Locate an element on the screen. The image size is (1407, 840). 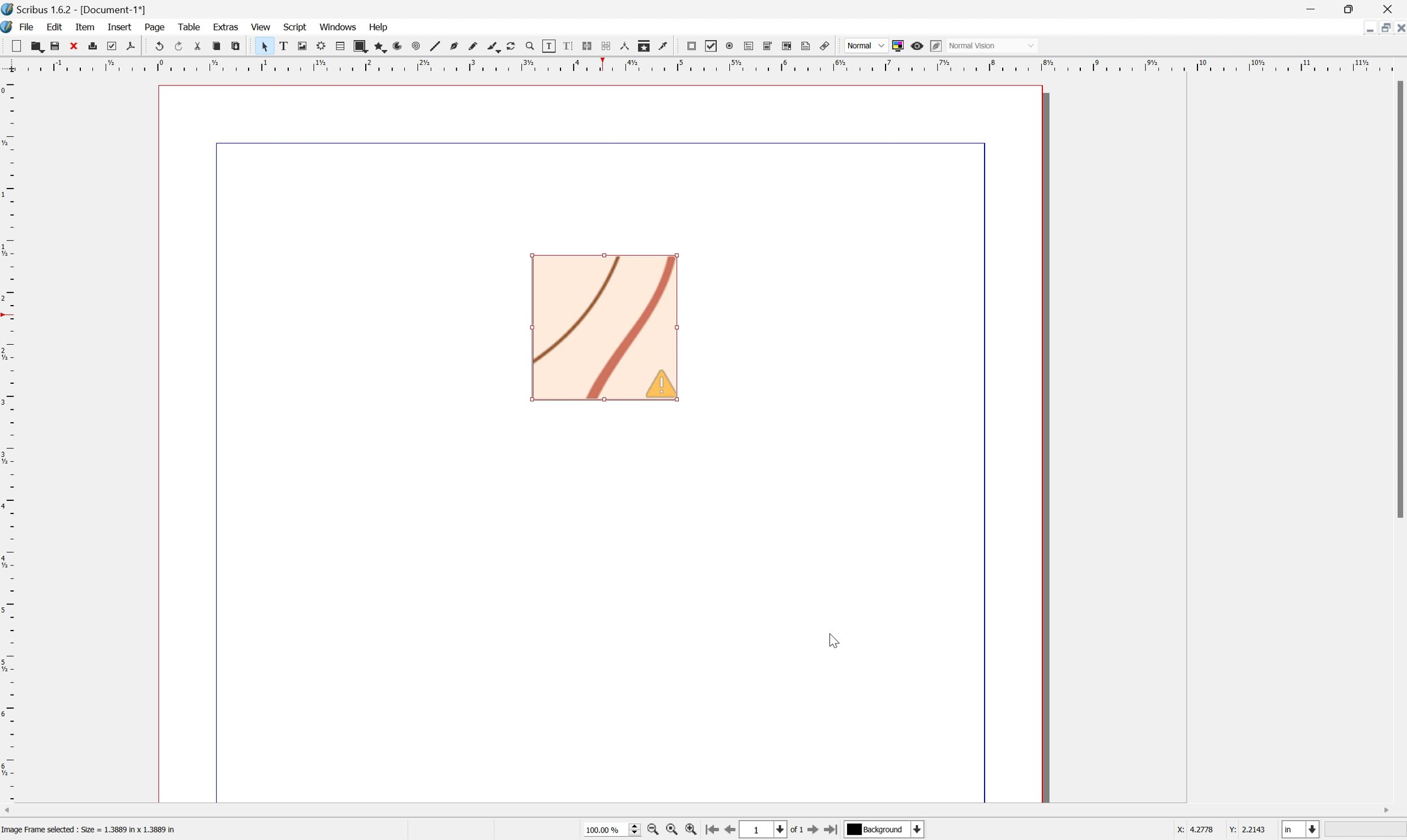
Preview mode is located at coordinates (917, 46).